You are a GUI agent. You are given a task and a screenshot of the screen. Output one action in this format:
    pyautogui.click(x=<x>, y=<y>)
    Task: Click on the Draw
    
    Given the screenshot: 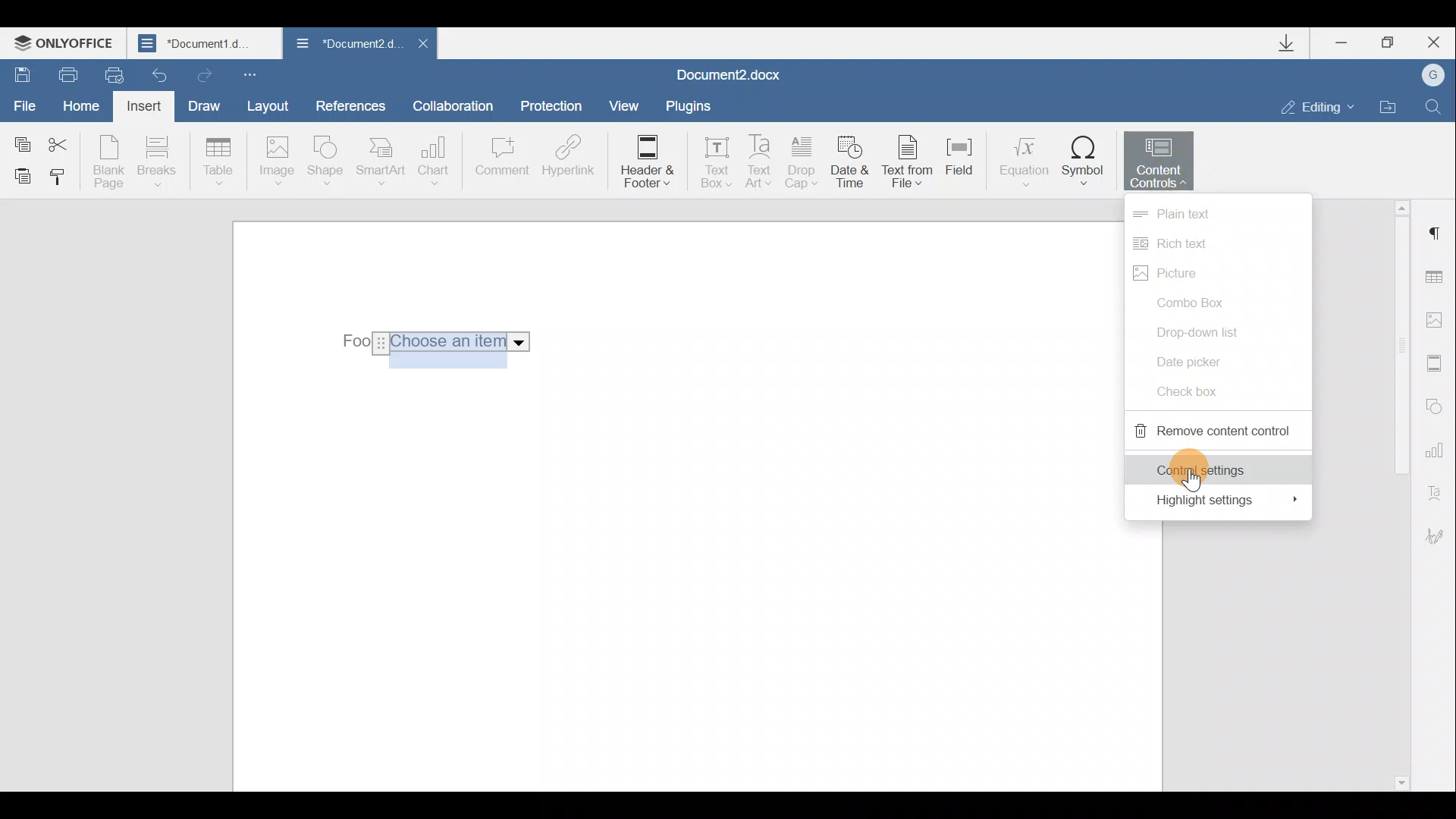 What is the action you would take?
    pyautogui.click(x=202, y=104)
    